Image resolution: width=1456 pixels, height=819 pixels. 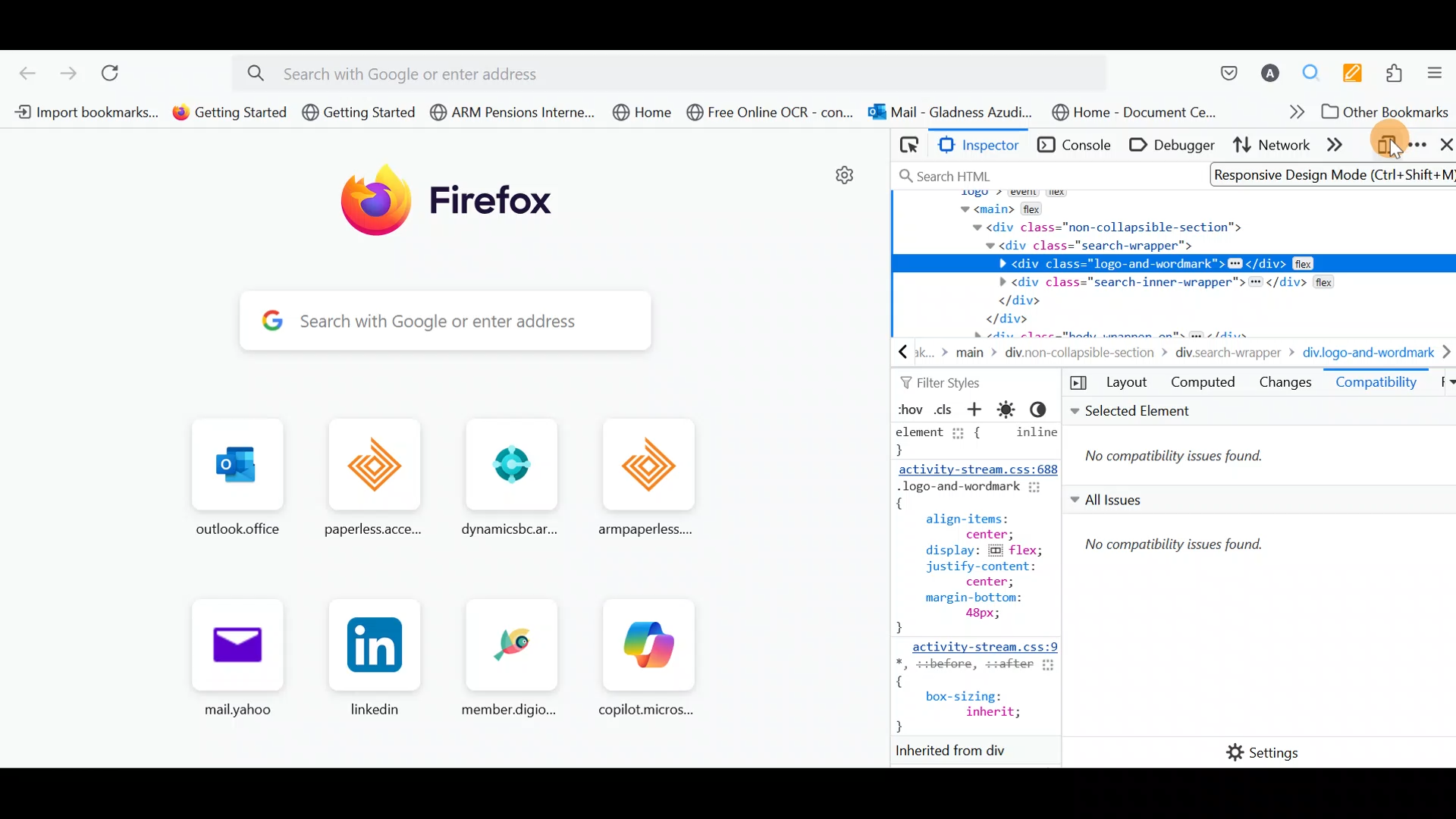 What do you see at coordinates (1272, 148) in the screenshot?
I see `Network` at bounding box center [1272, 148].